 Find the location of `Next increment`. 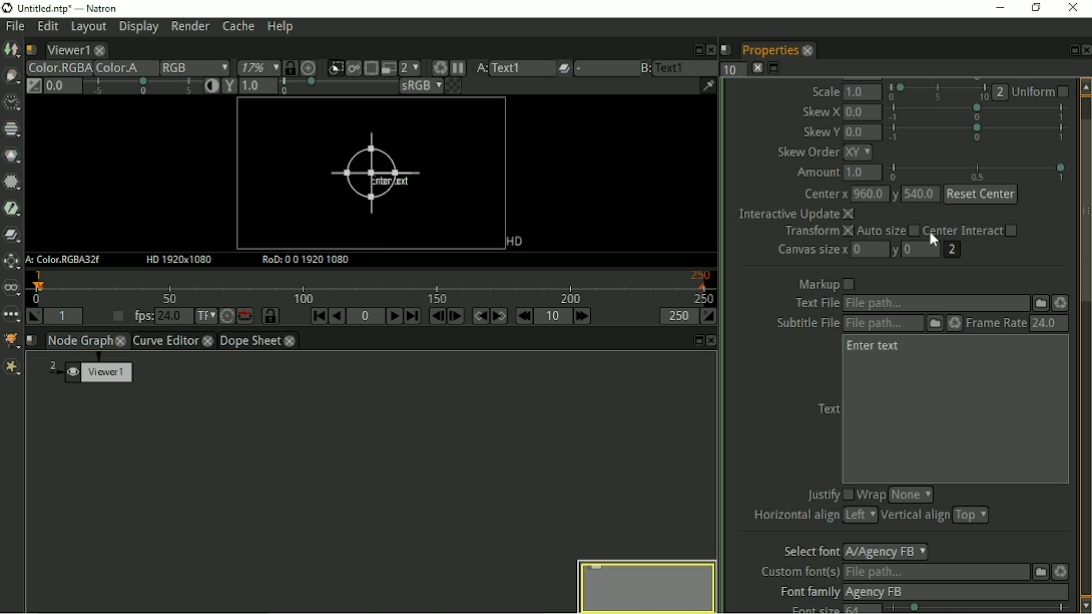

Next increment is located at coordinates (584, 316).